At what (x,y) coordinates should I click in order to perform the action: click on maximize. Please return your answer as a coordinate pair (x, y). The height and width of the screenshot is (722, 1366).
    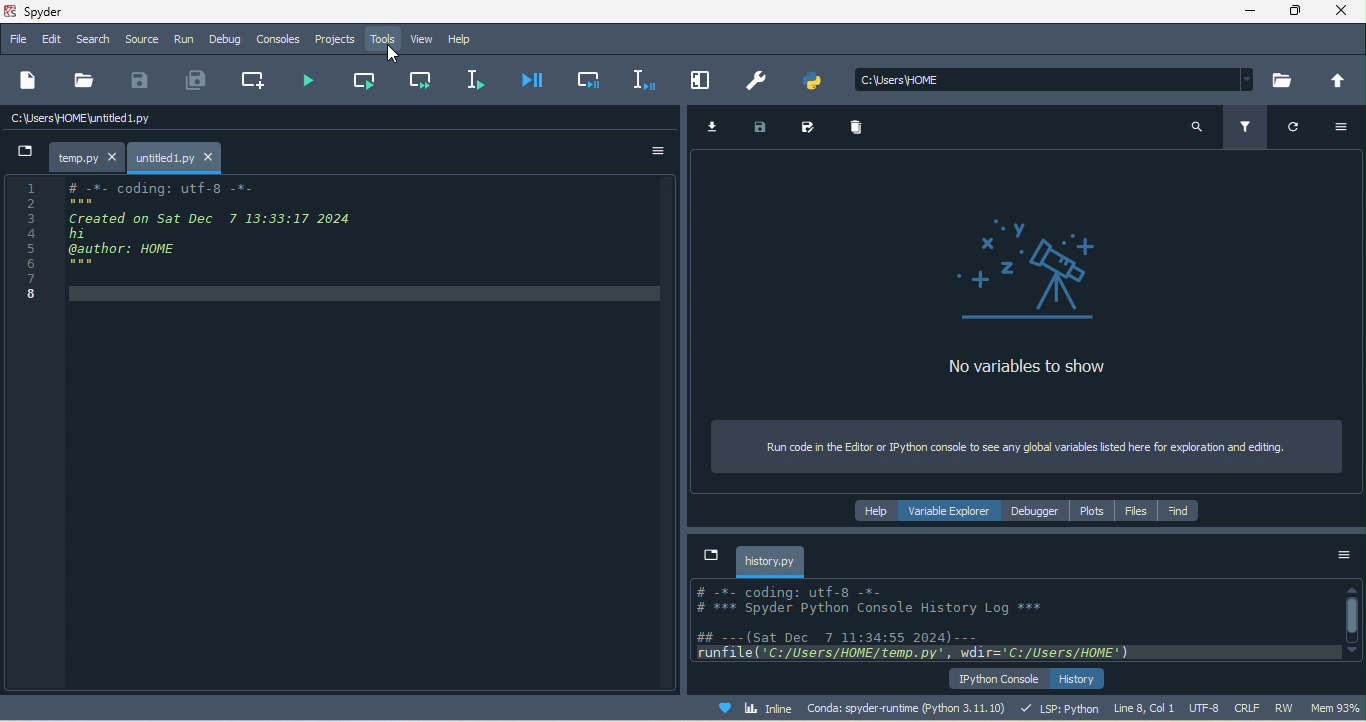
    Looking at the image, I should click on (1296, 12).